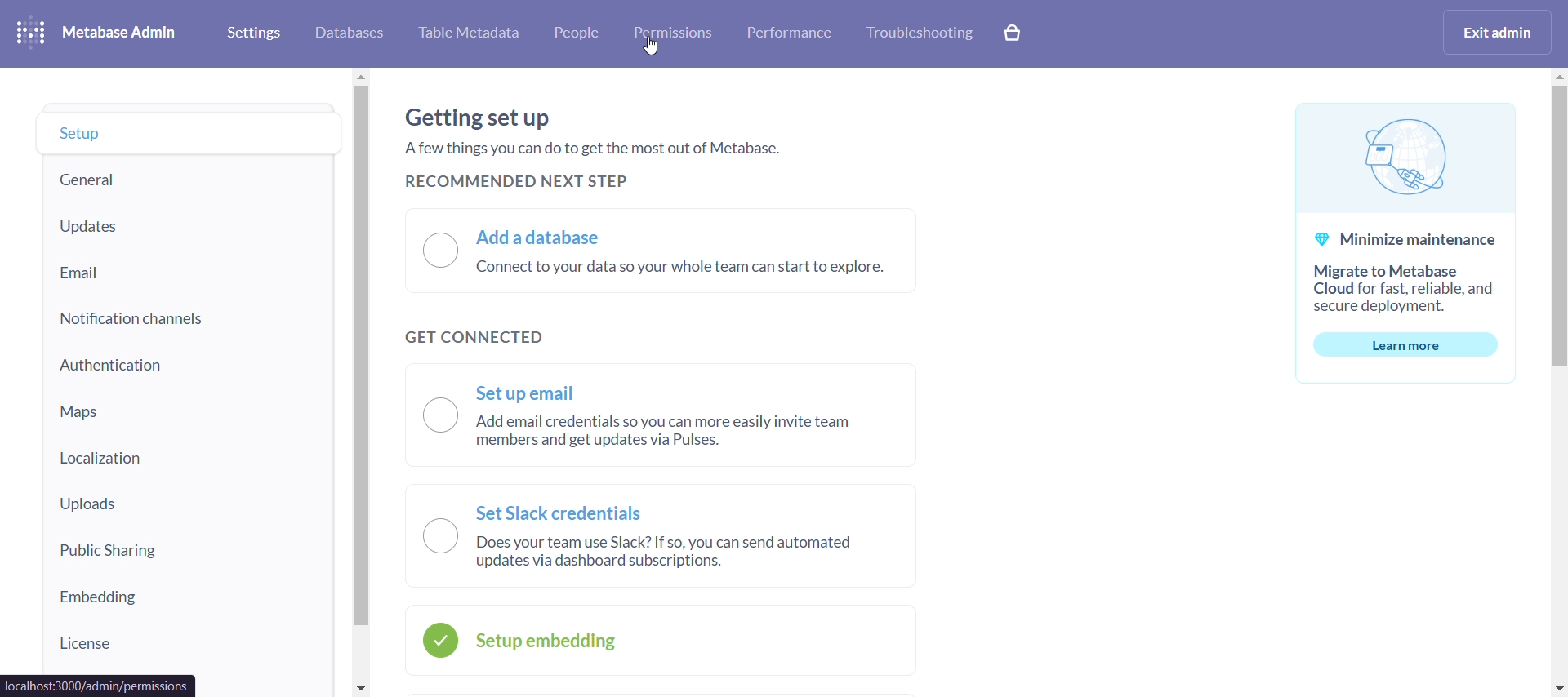 The image size is (1568, 697). Describe the element at coordinates (1410, 241) in the screenshot. I see `minimize maintenance` at that location.